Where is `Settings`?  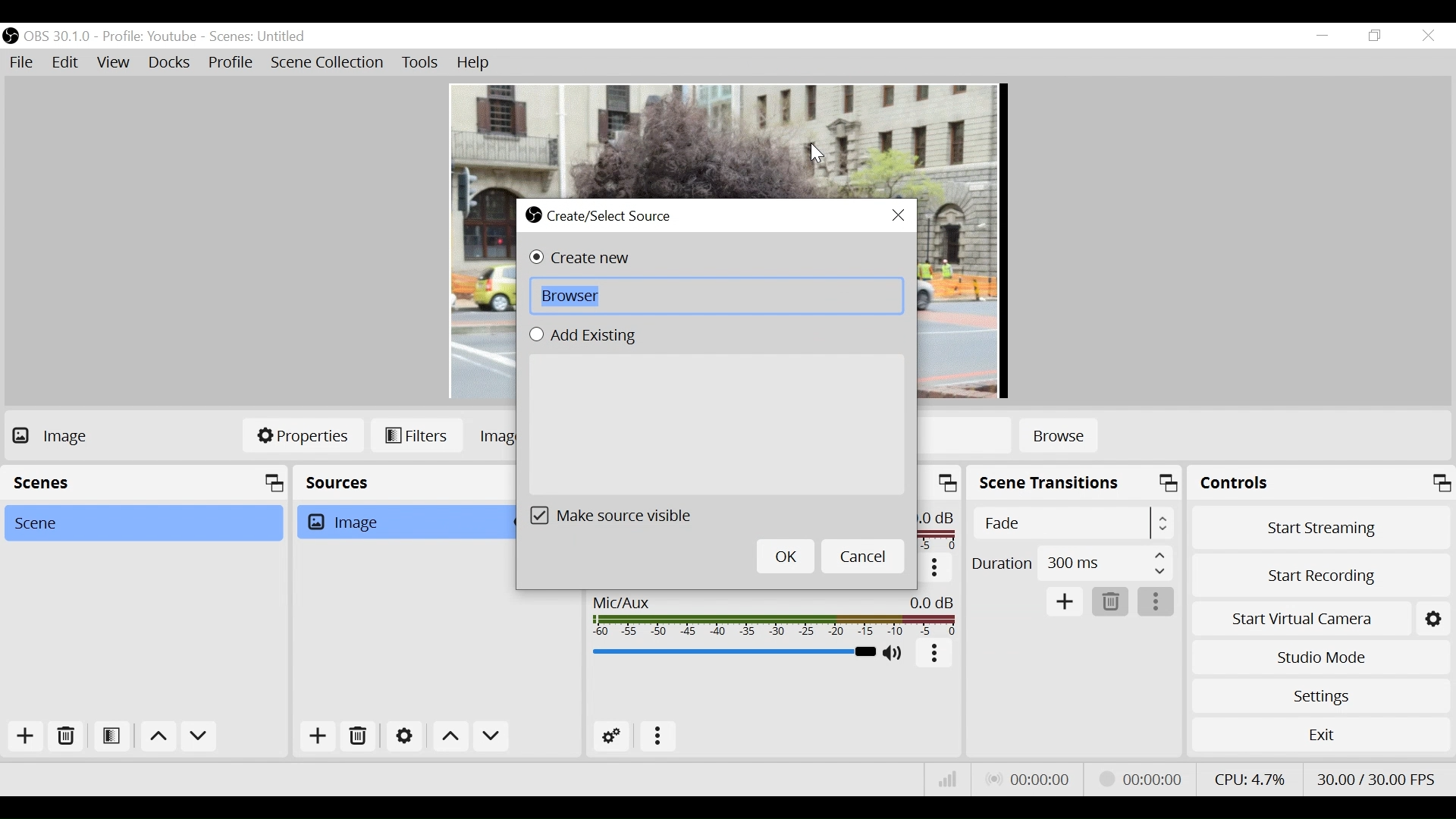 Settings is located at coordinates (1321, 694).